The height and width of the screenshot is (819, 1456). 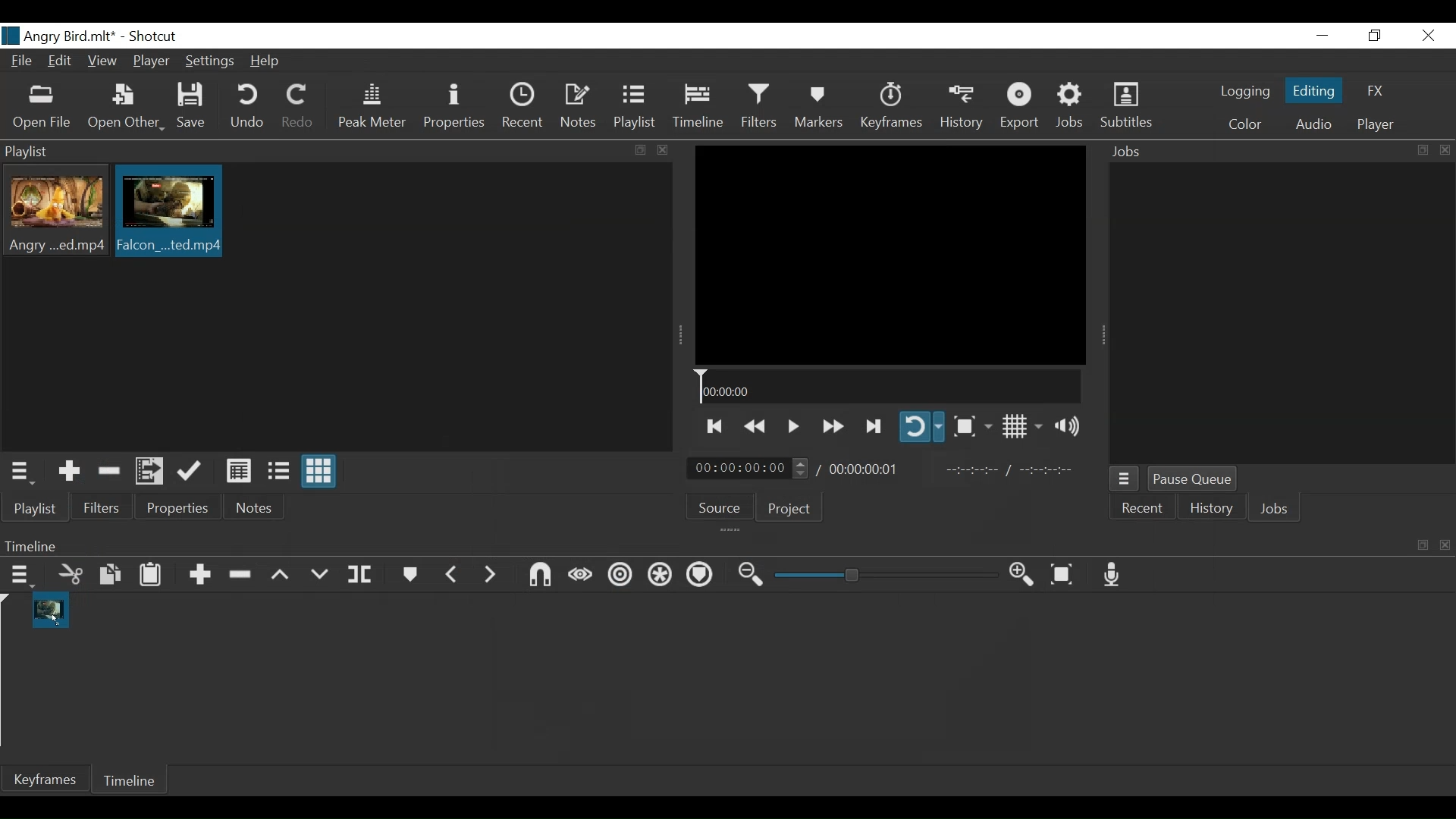 I want to click on View as icons, so click(x=320, y=471).